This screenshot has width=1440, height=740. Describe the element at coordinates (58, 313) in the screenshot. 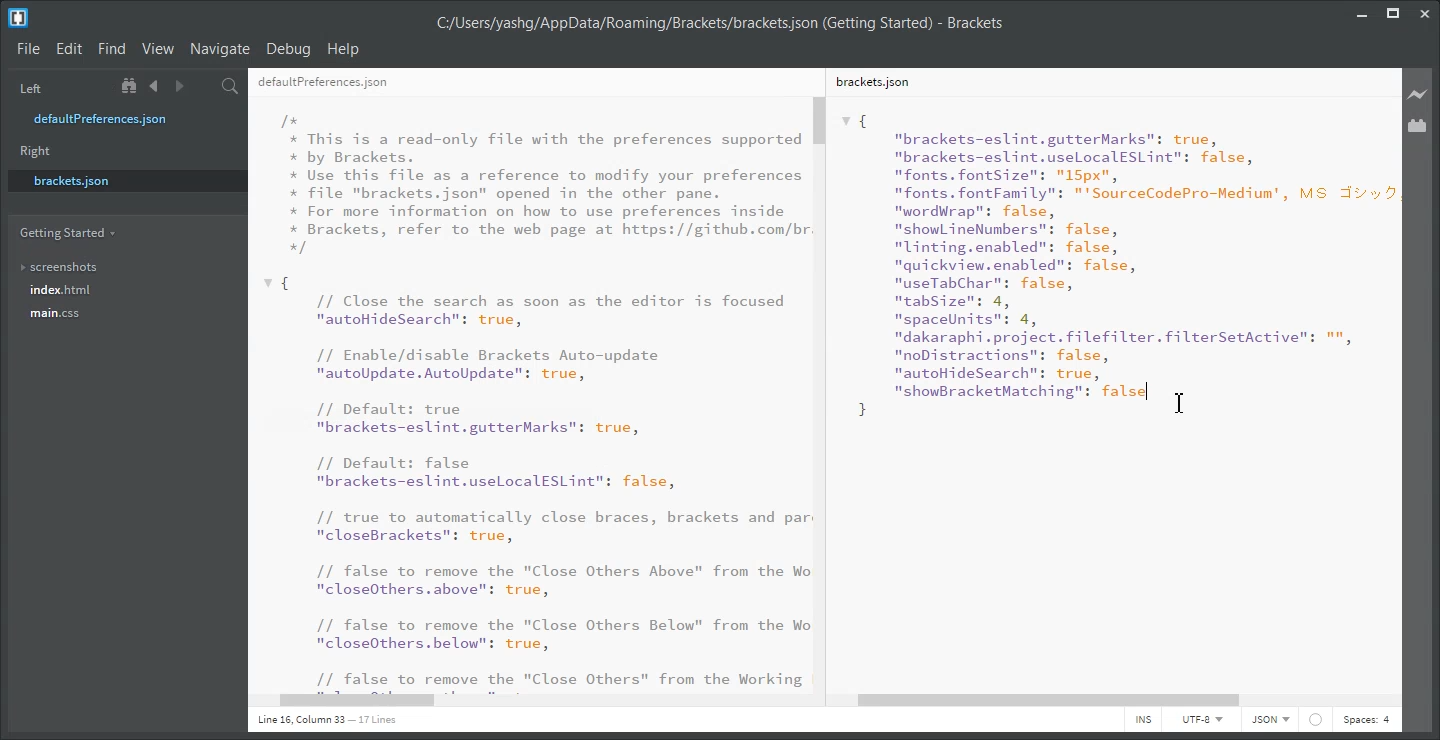

I see `main.css` at that location.